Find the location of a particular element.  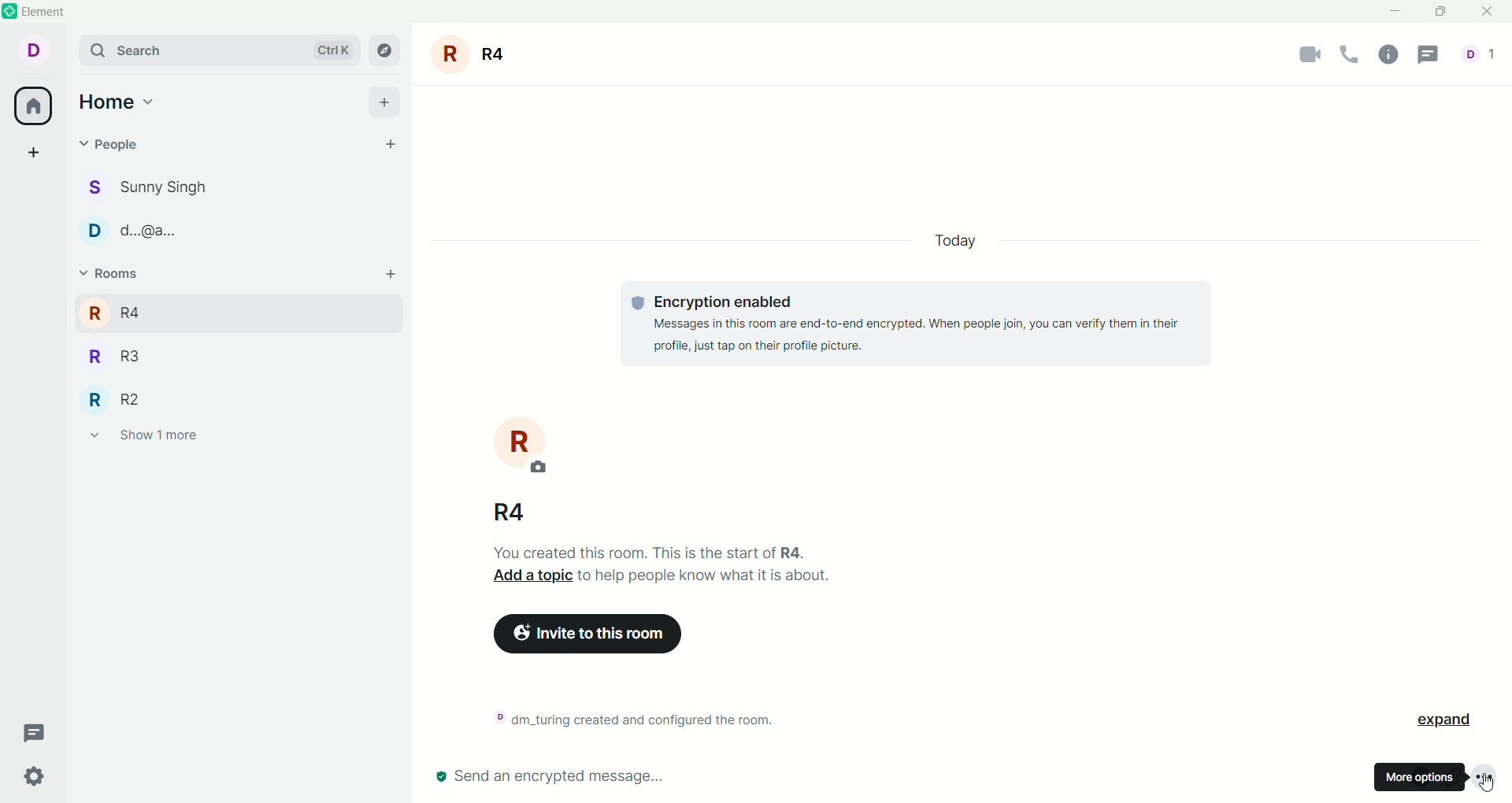

room name is located at coordinates (513, 511).